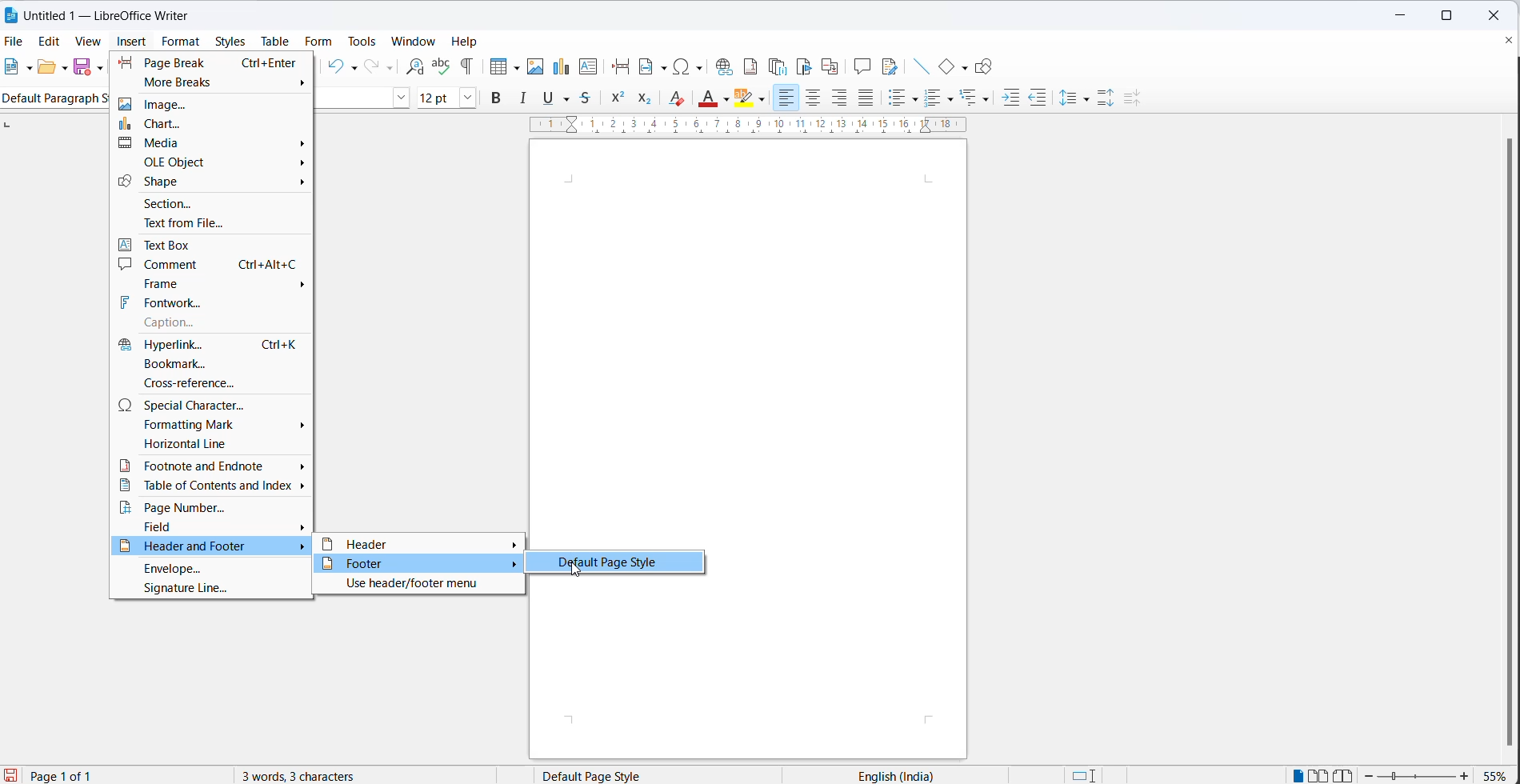 This screenshot has width=1520, height=784. What do you see at coordinates (27, 70) in the screenshot?
I see `file options` at bounding box center [27, 70].